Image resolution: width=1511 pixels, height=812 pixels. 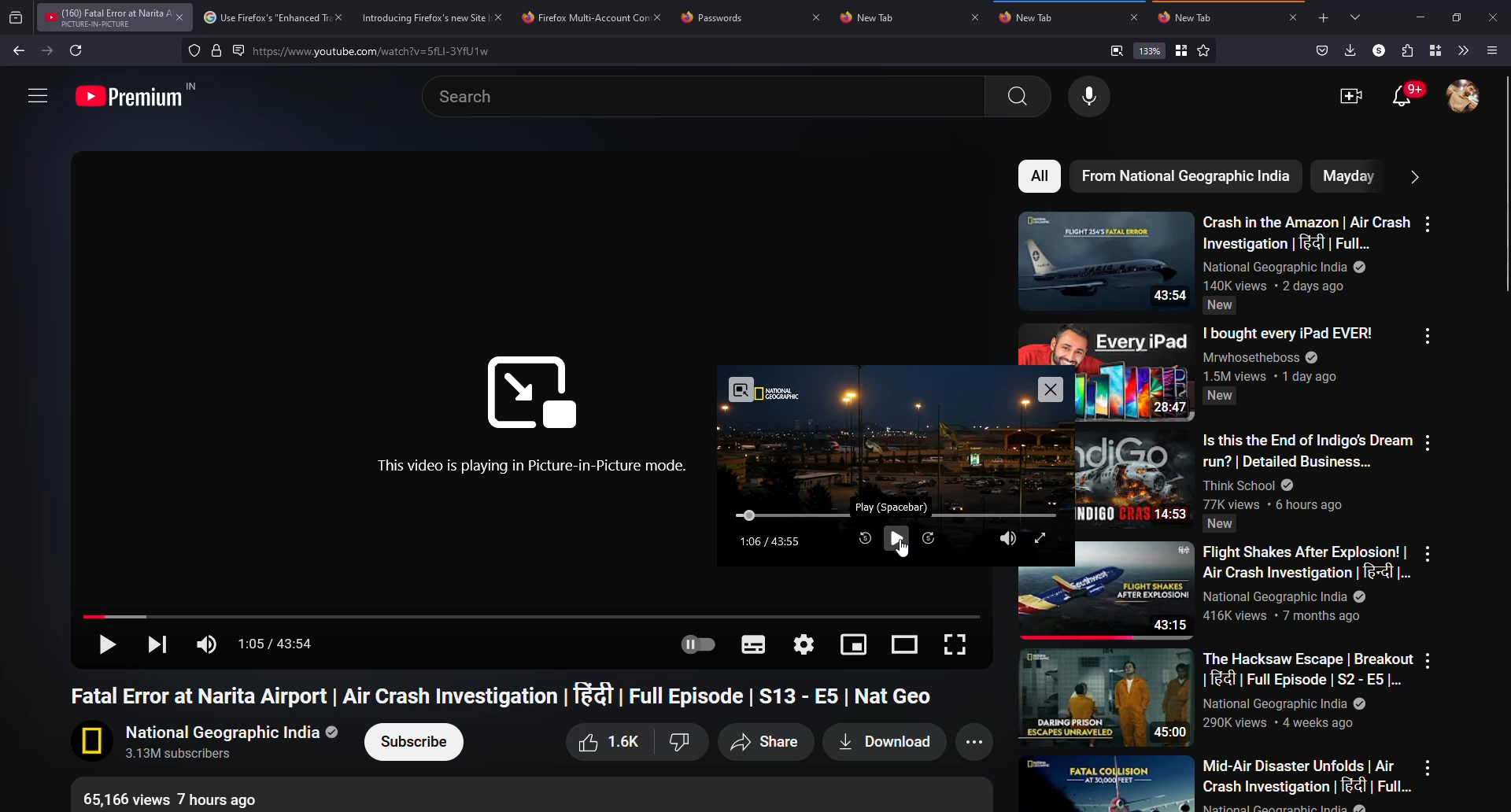 I want to click on Video thumbnail, so click(x=1136, y=372).